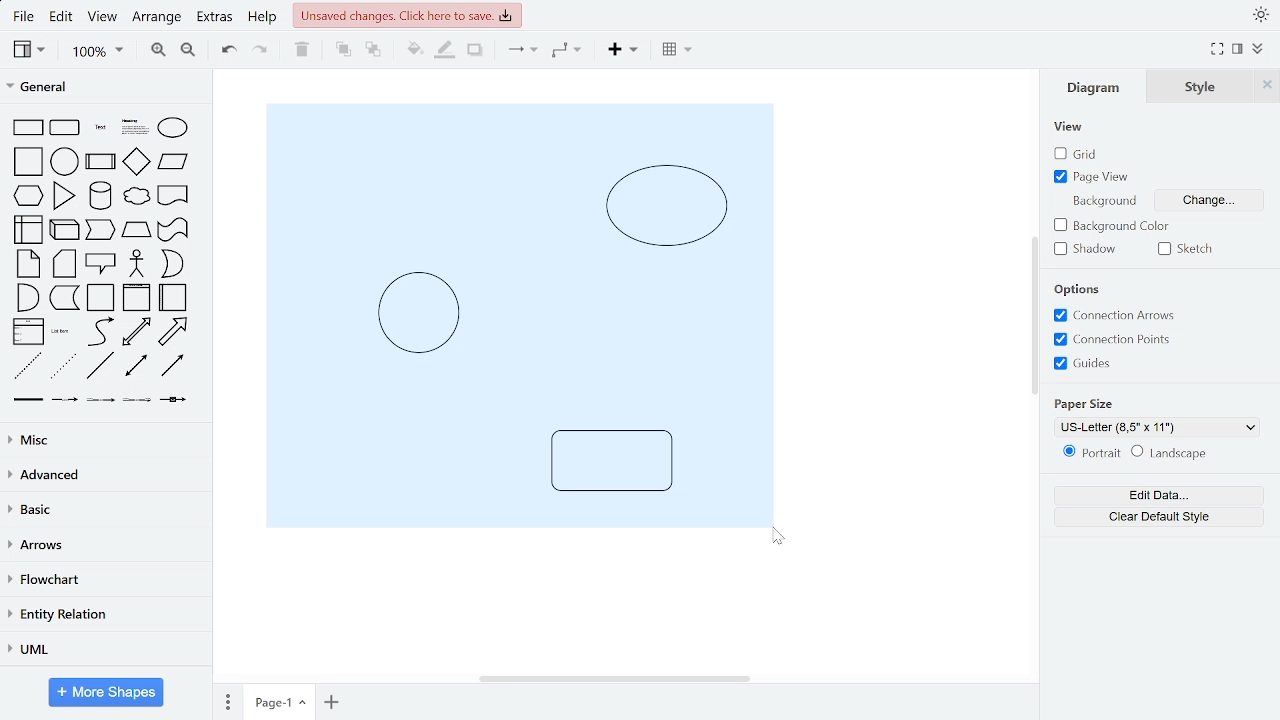 The height and width of the screenshot is (720, 1280). What do you see at coordinates (174, 367) in the screenshot?
I see `directional connector` at bounding box center [174, 367].